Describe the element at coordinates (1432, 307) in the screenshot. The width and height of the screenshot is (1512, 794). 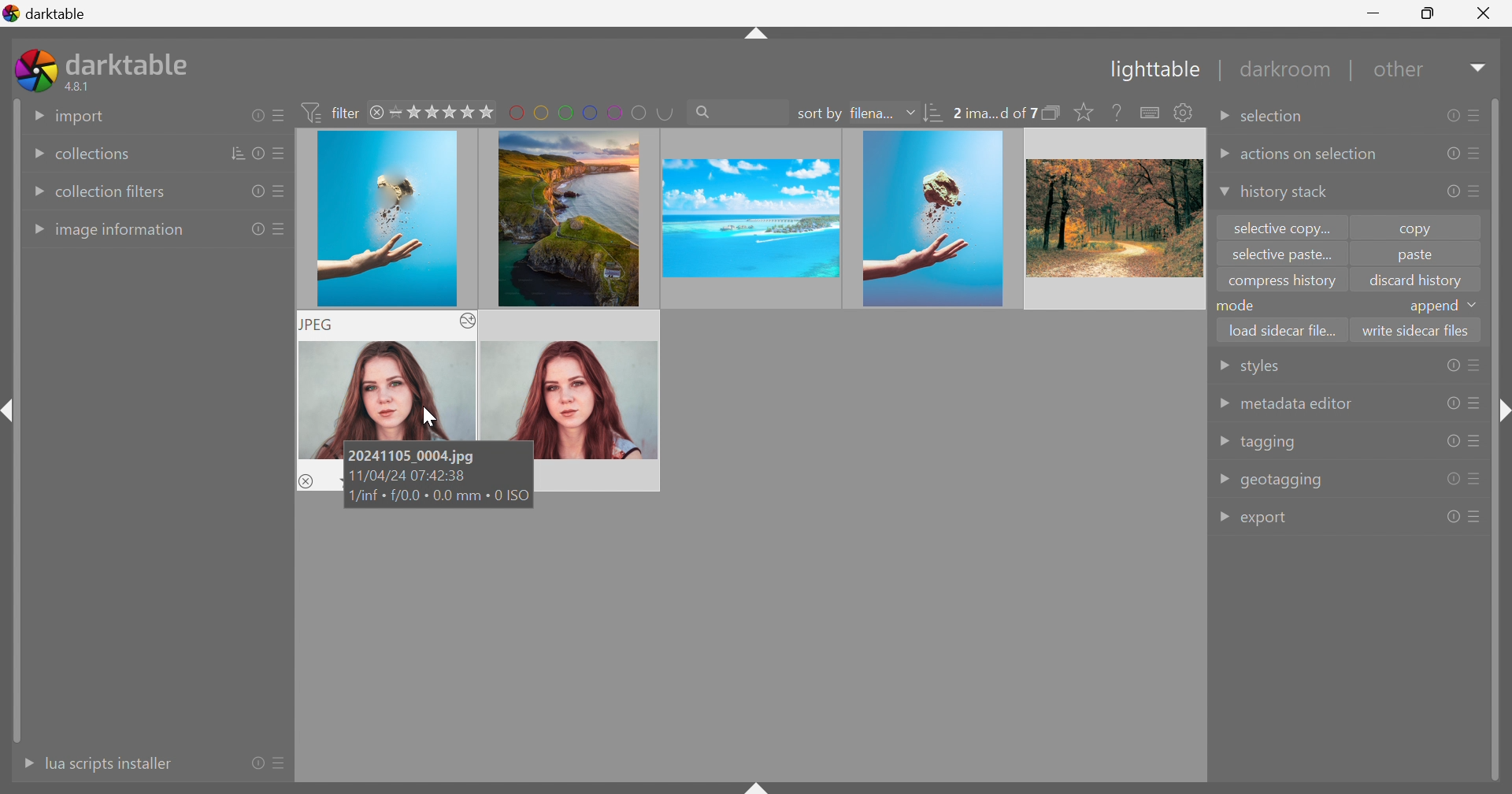
I see `append` at that location.